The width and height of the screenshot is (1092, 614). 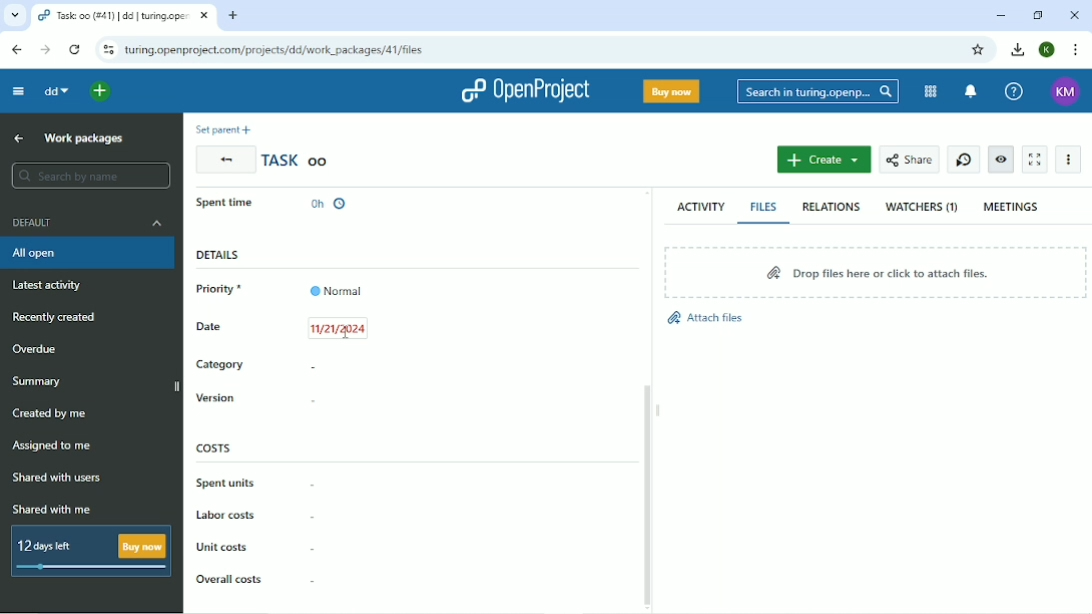 I want to click on -, so click(x=314, y=368).